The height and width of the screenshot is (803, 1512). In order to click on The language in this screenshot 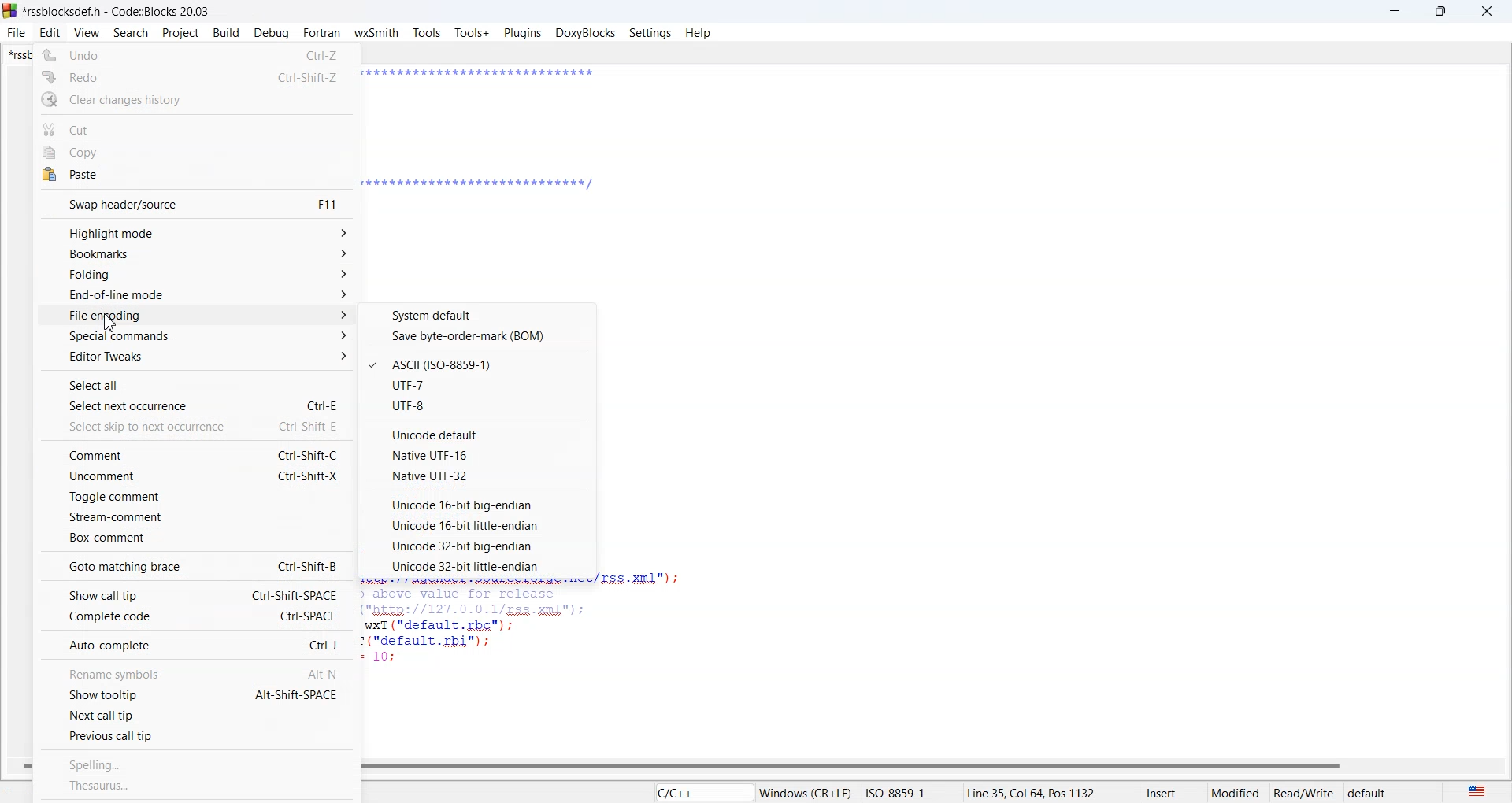, I will do `click(1475, 790)`.